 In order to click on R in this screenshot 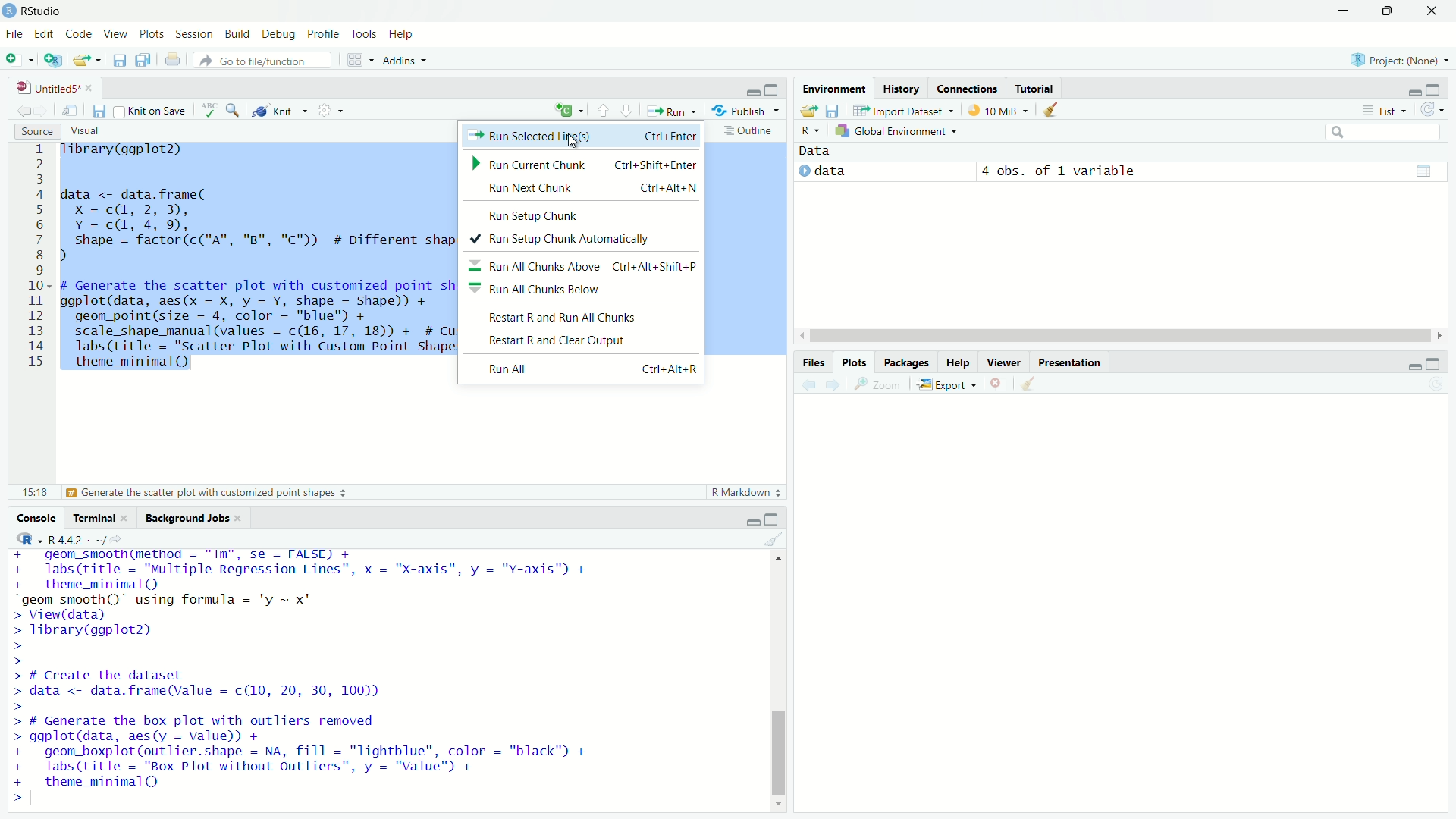, I will do `click(28, 539)`.